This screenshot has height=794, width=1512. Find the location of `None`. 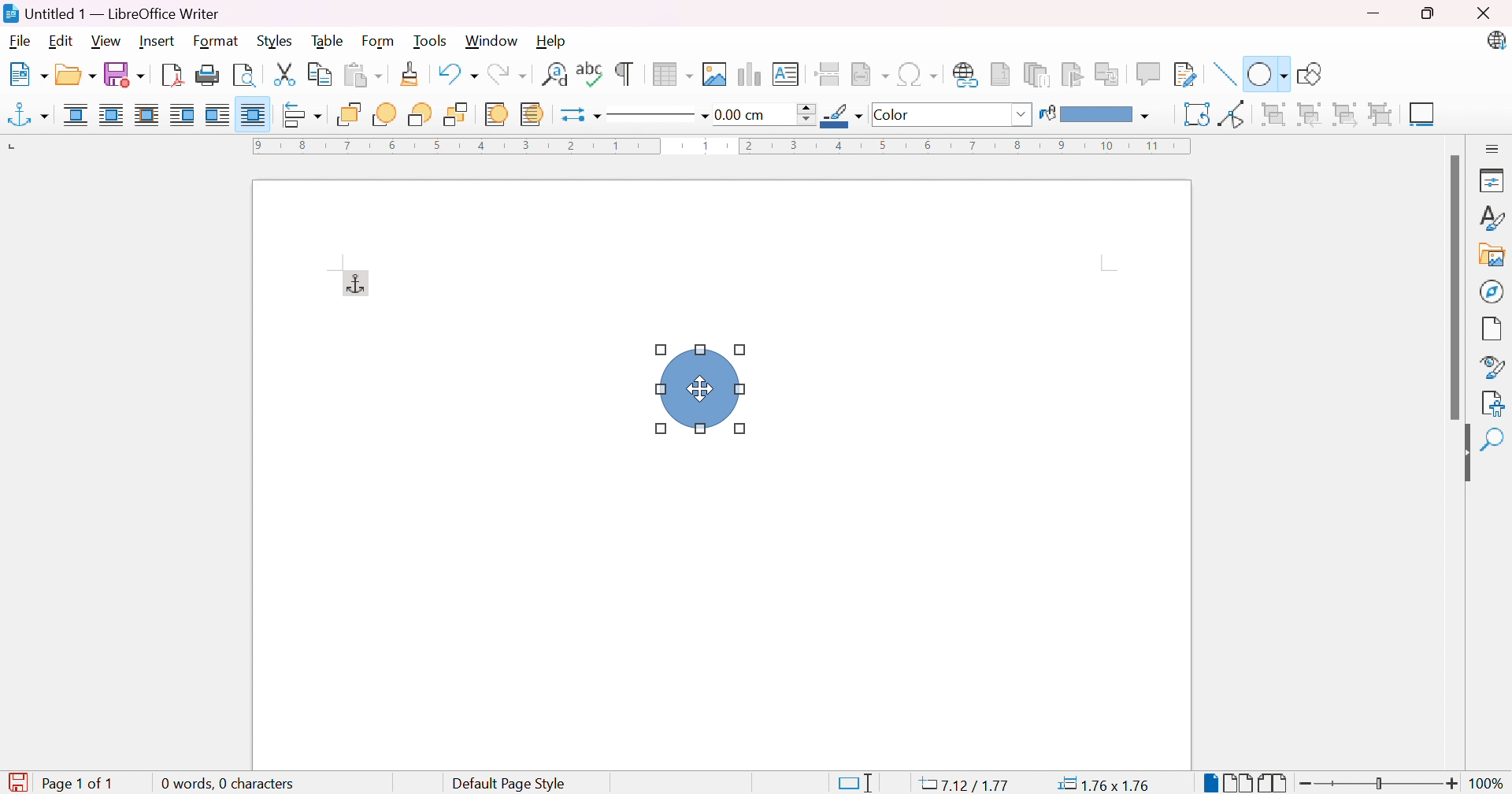

None is located at coordinates (75, 115).